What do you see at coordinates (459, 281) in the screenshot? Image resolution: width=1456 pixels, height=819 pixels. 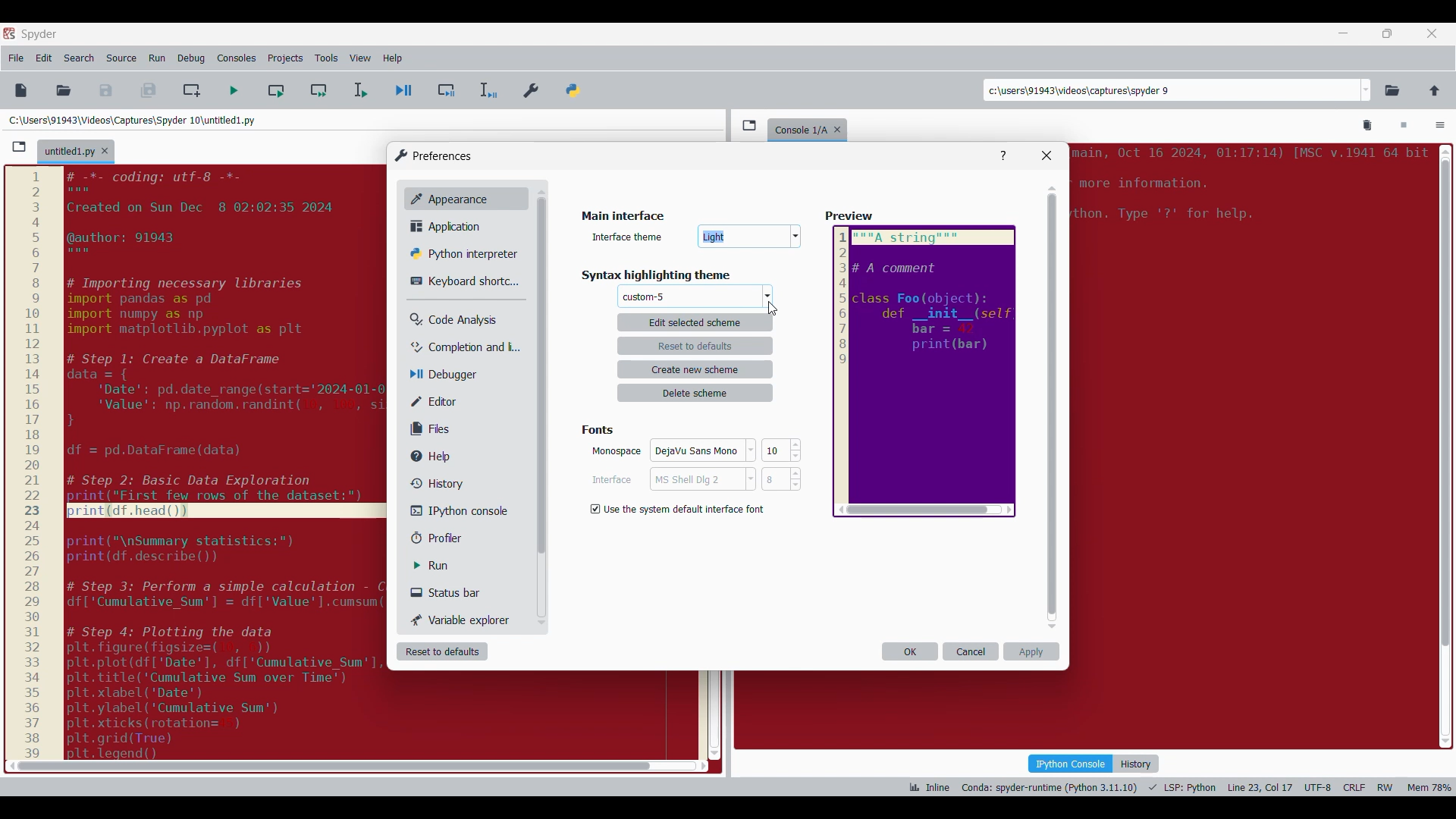 I see `Keyboard shortcut` at bounding box center [459, 281].